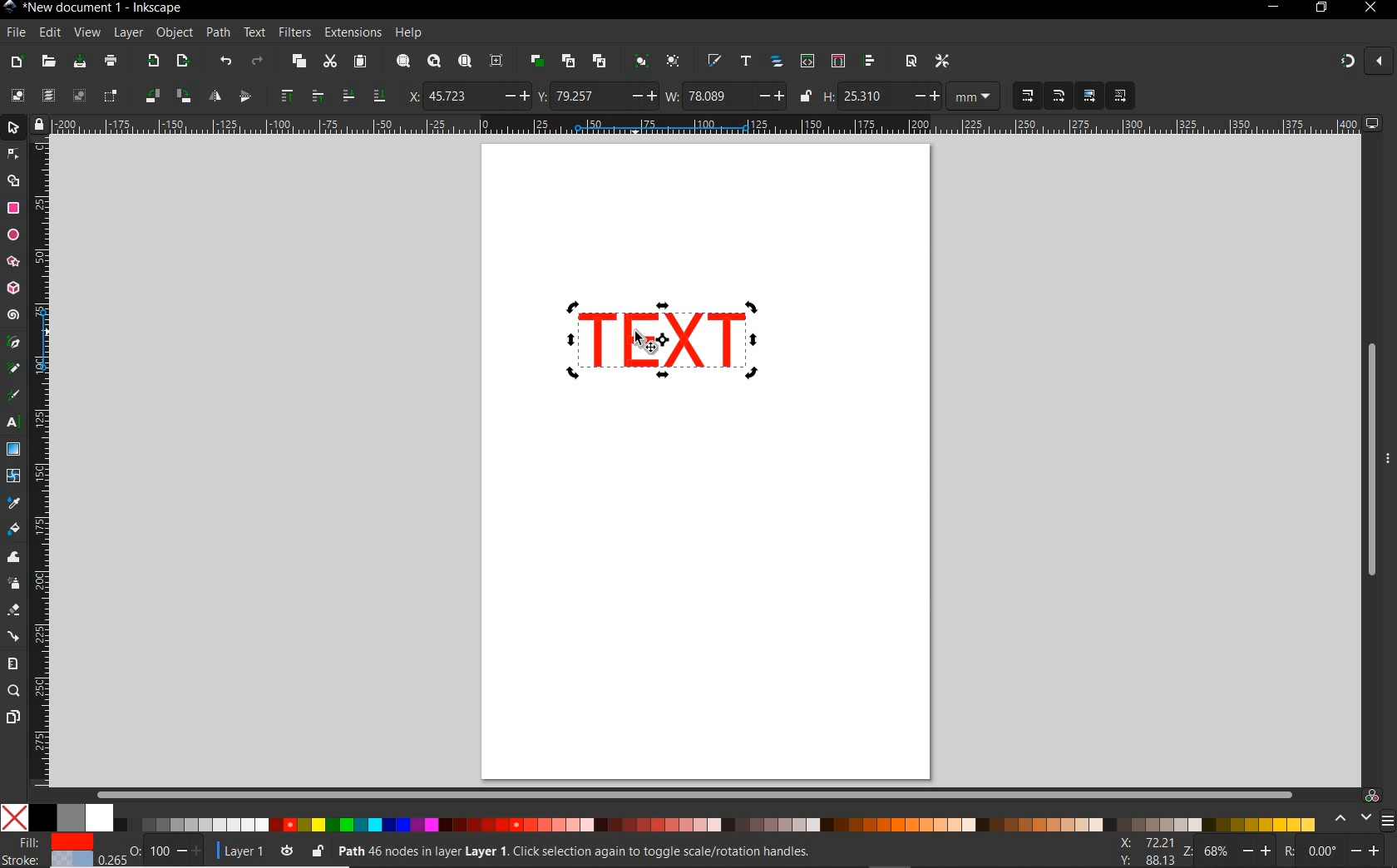 The height and width of the screenshot is (868, 1397). Describe the element at coordinates (47, 96) in the screenshot. I see `SELECT ALL IN ALL LAYERS` at that location.